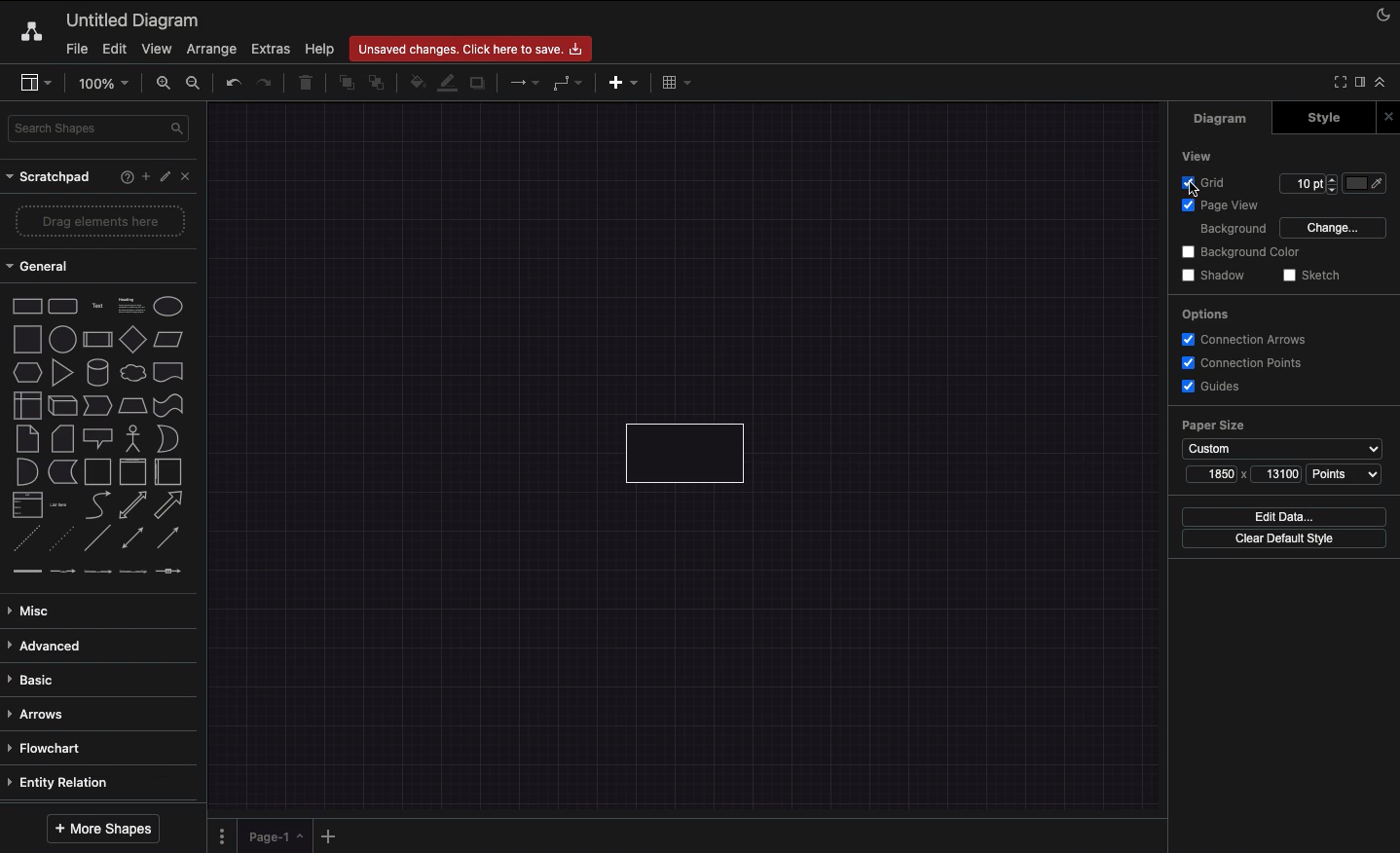 Image resolution: width=1400 pixels, height=853 pixels. Describe the element at coordinates (163, 177) in the screenshot. I see `Edit` at that location.